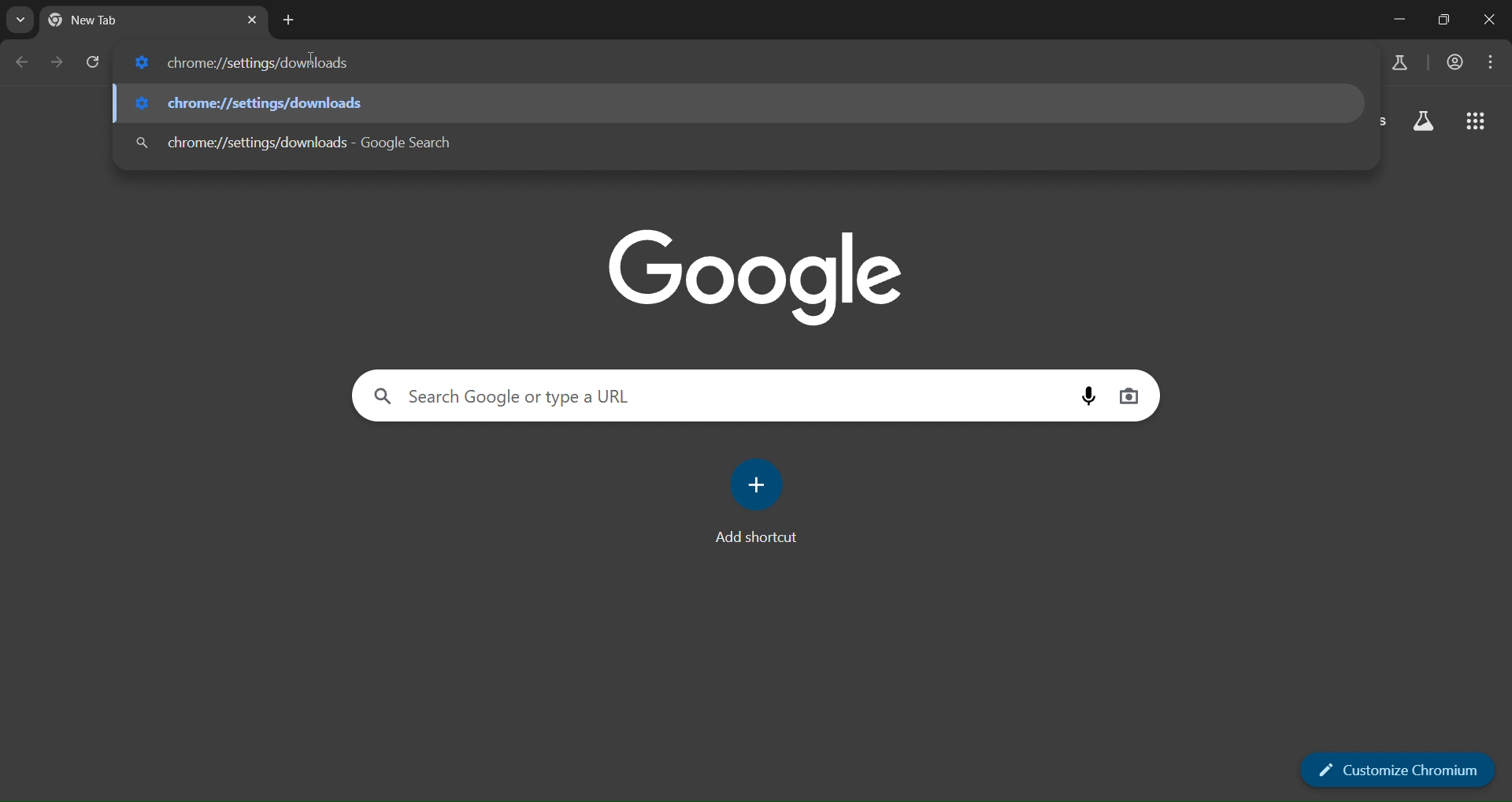 This screenshot has width=1512, height=802. What do you see at coordinates (246, 105) in the screenshot?
I see `chrome://settings/downloads` at bounding box center [246, 105].